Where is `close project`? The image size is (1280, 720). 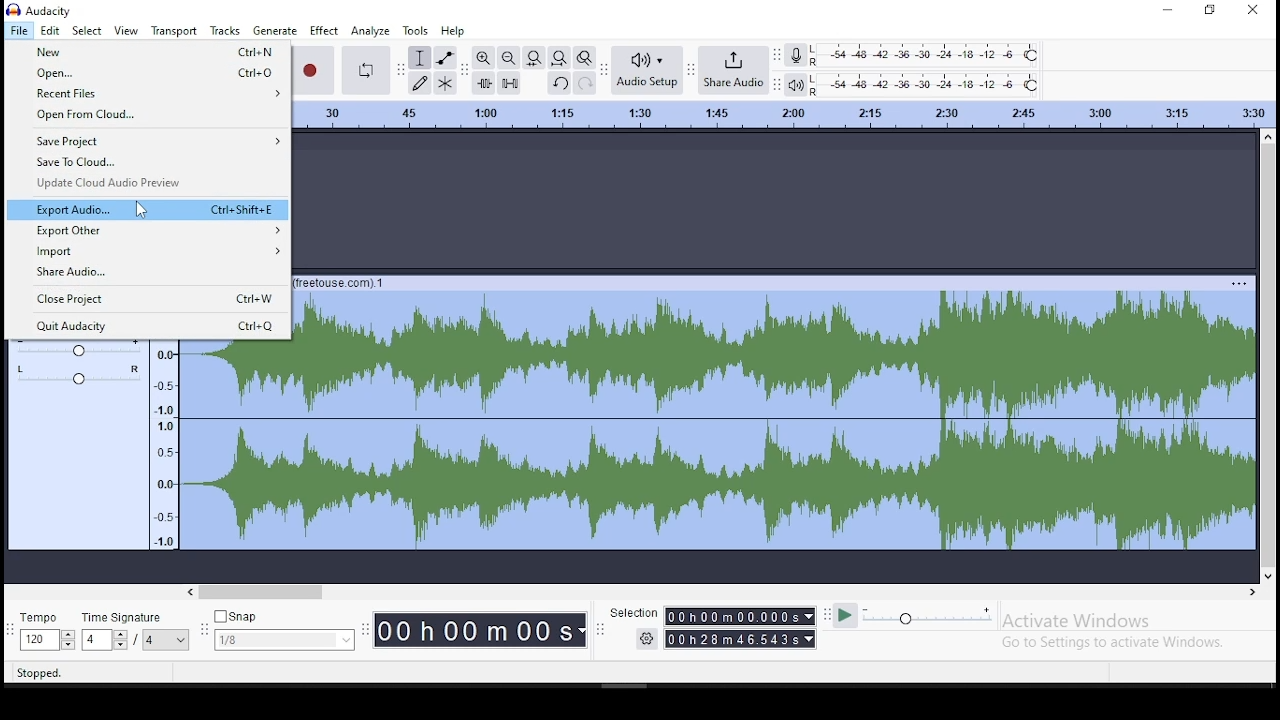 close project is located at coordinates (149, 298).